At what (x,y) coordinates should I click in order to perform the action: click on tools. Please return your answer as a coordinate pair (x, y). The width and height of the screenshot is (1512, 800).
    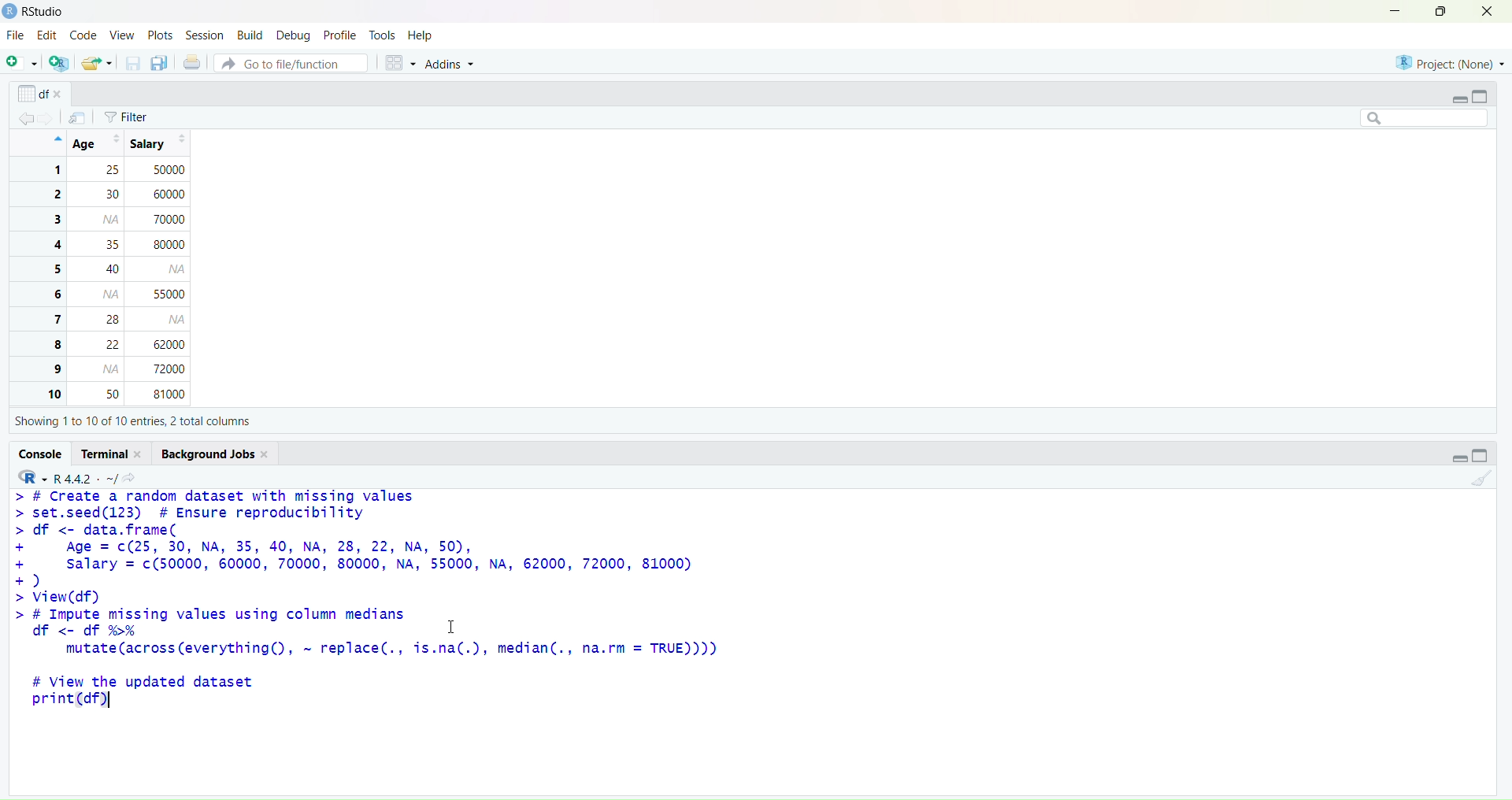
    Looking at the image, I should click on (384, 35).